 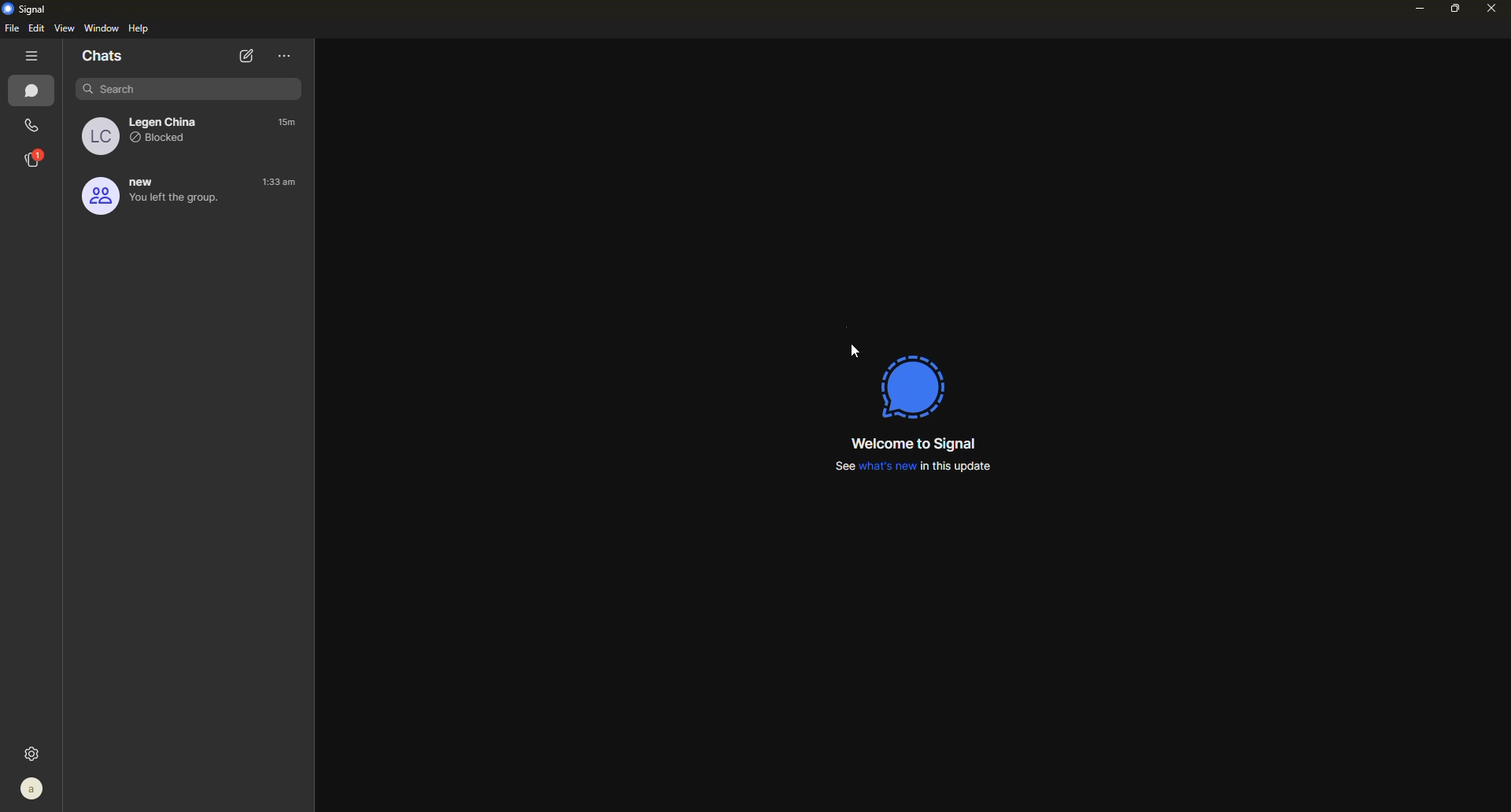 I want to click on stories, so click(x=35, y=158).